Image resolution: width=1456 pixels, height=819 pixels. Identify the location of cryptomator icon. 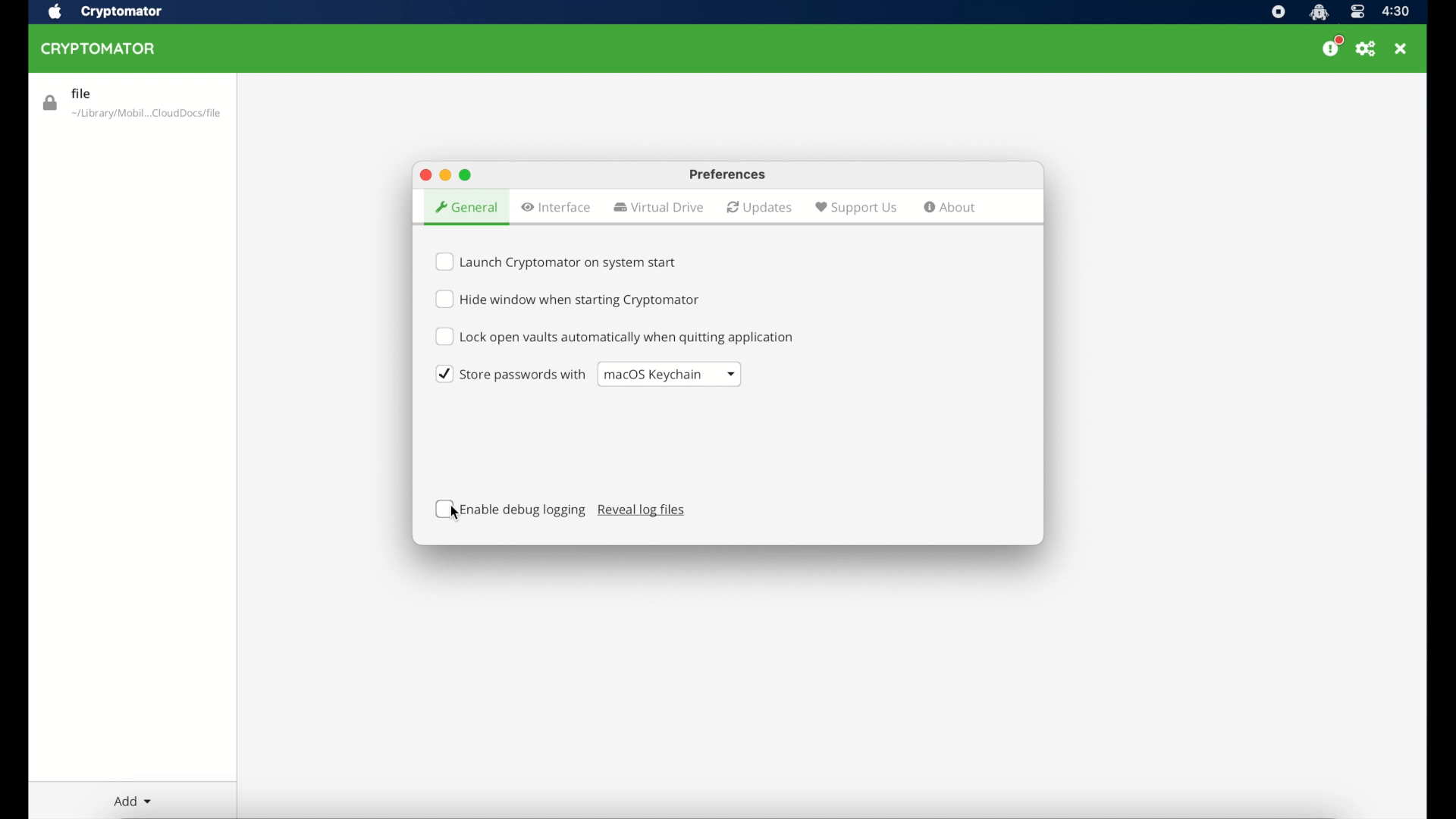
(1319, 12).